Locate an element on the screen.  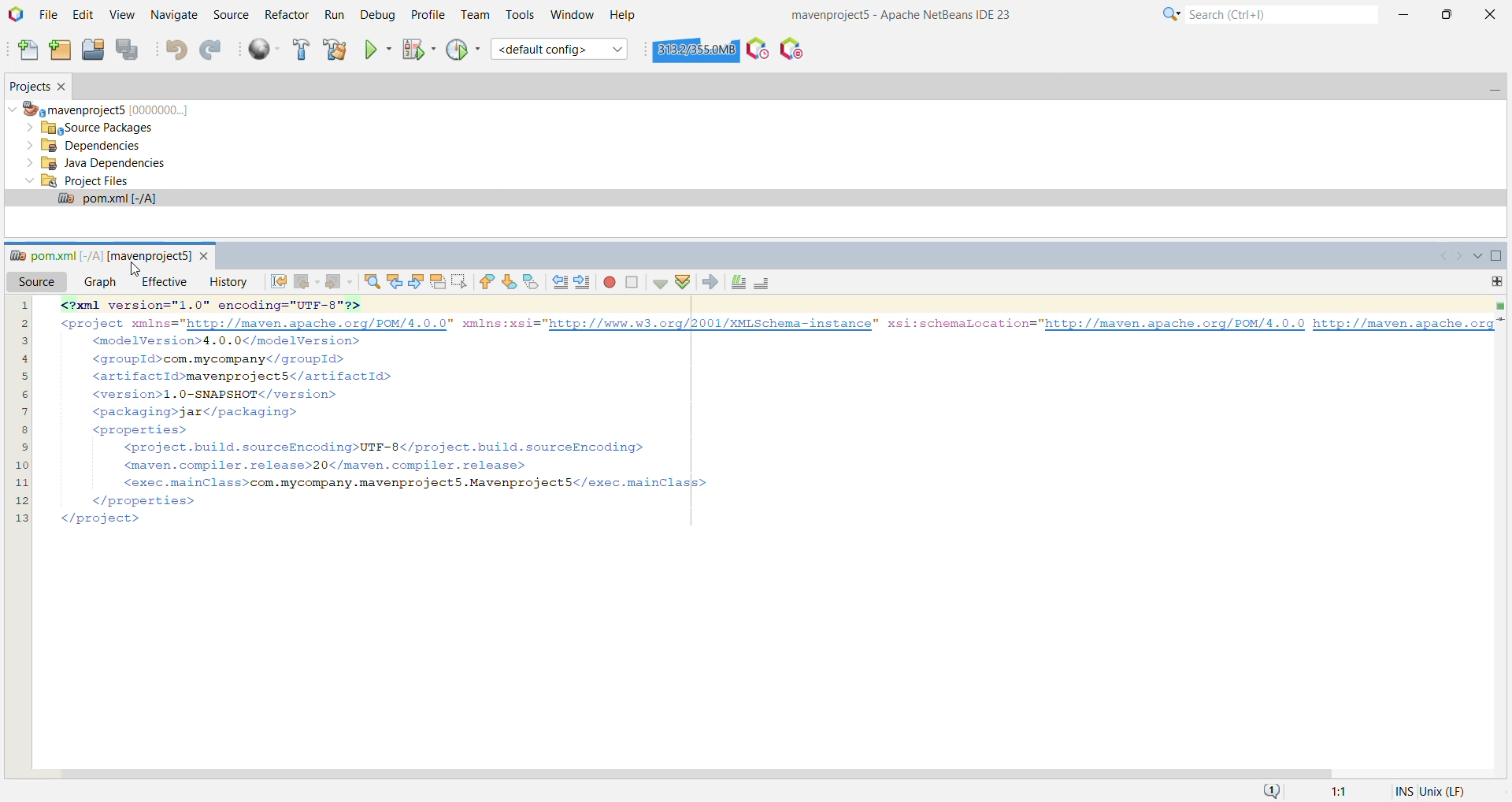
Debug is located at coordinates (376, 16).